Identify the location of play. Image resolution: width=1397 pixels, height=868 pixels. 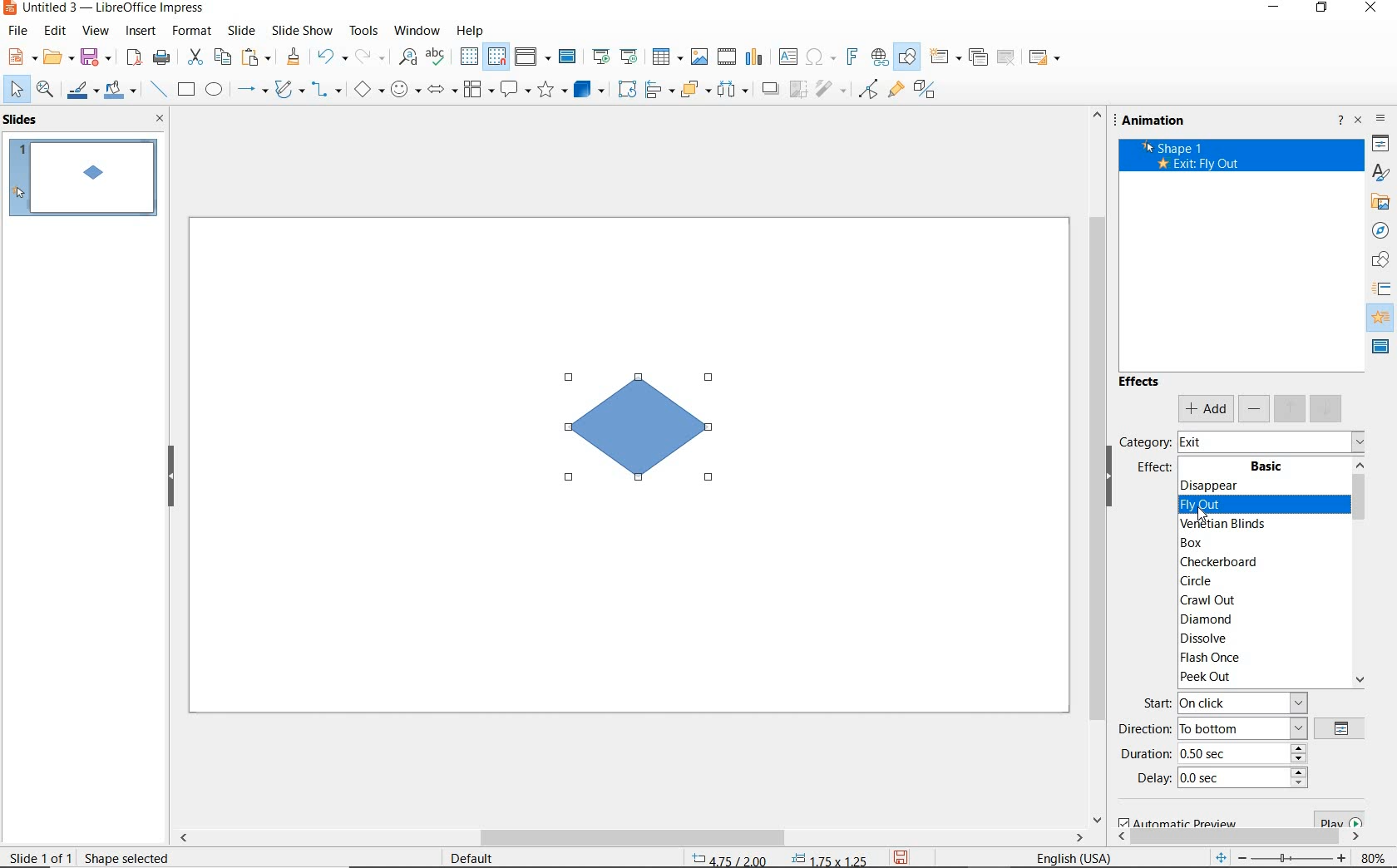
(1335, 818).